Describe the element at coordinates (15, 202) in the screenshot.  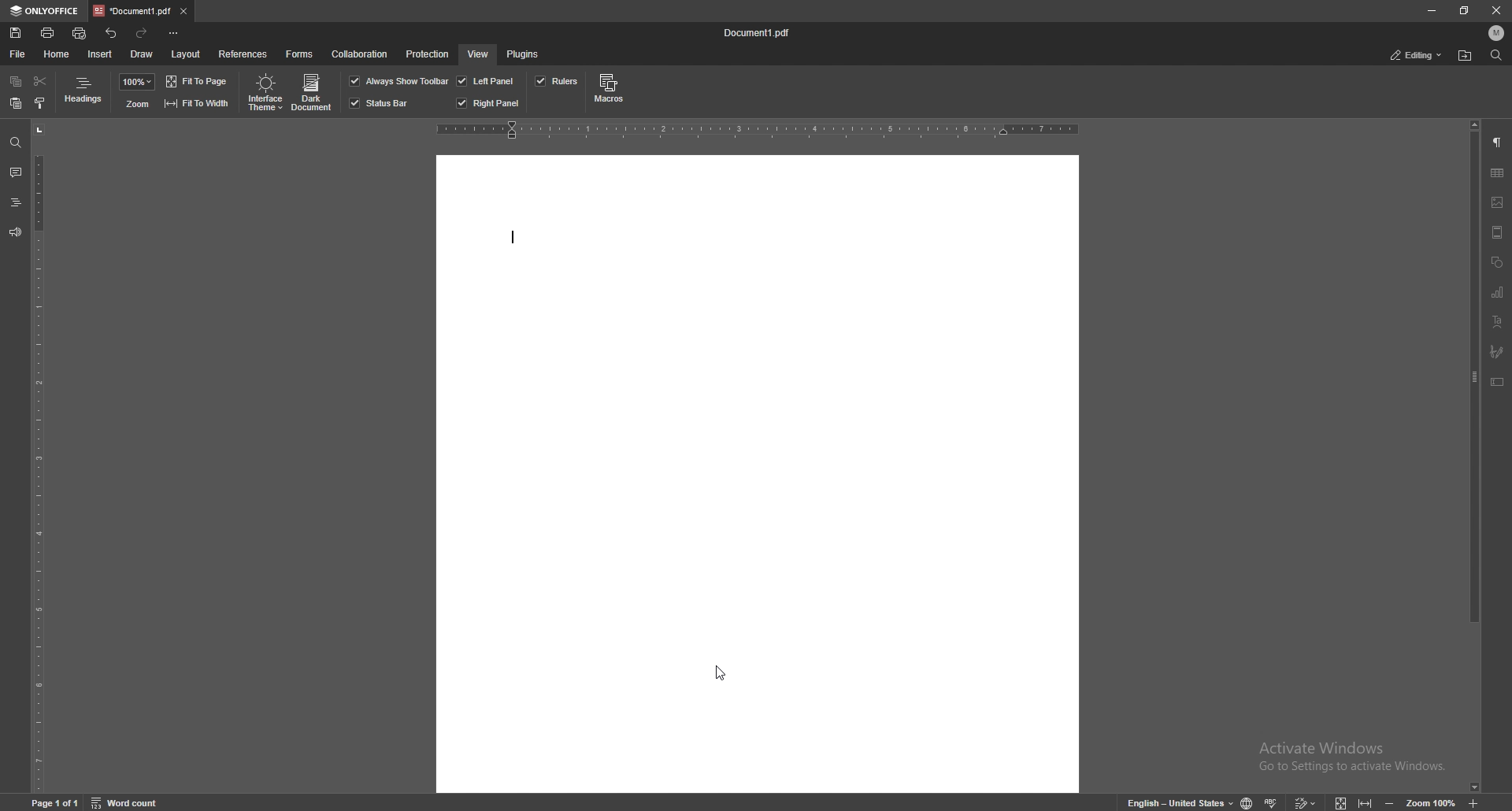
I see `headings` at that location.